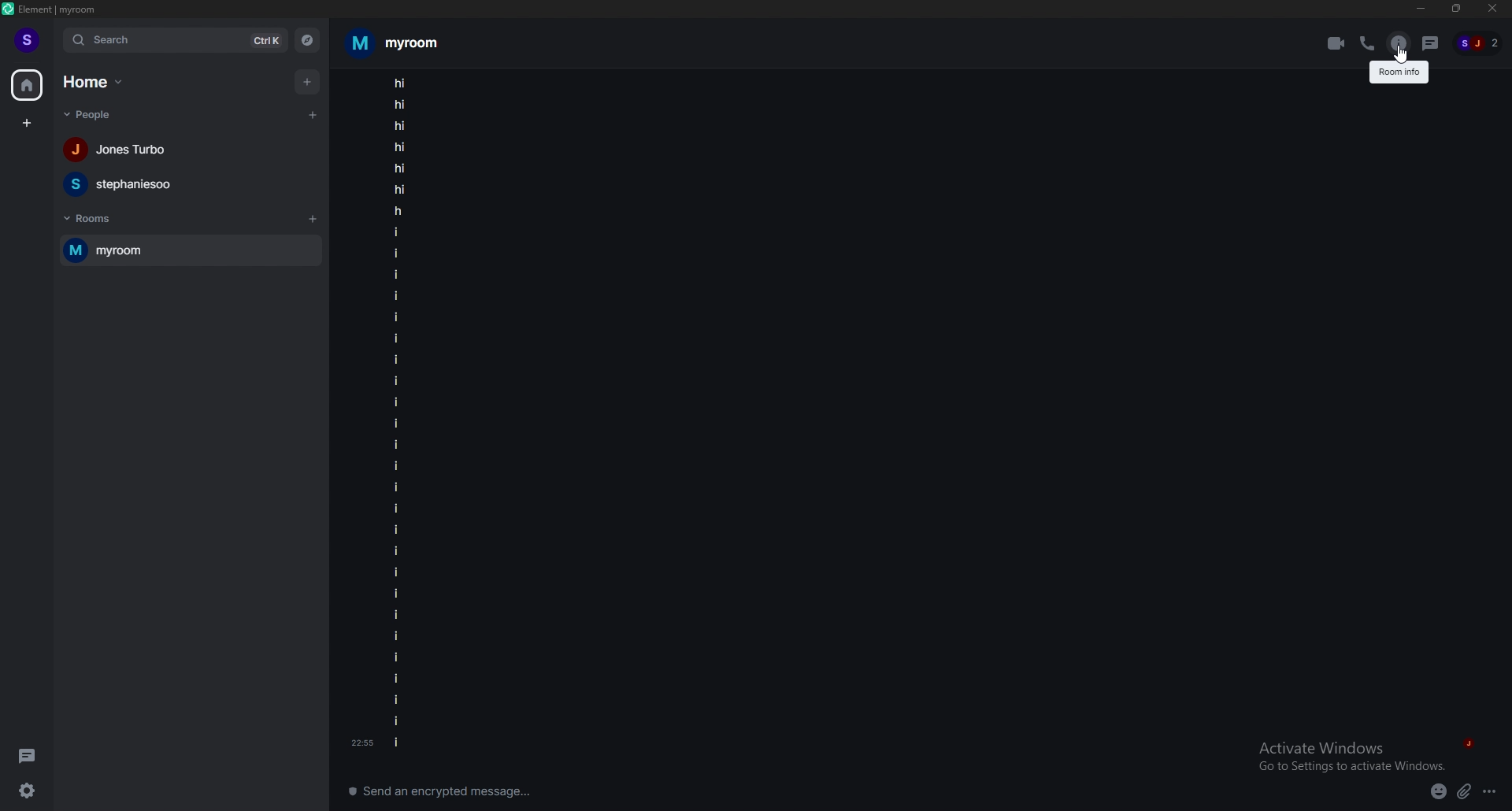 The image size is (1512, 811). Describe the element at coordinates (1467, 739) in the screenshot. I see `seen` at that location.